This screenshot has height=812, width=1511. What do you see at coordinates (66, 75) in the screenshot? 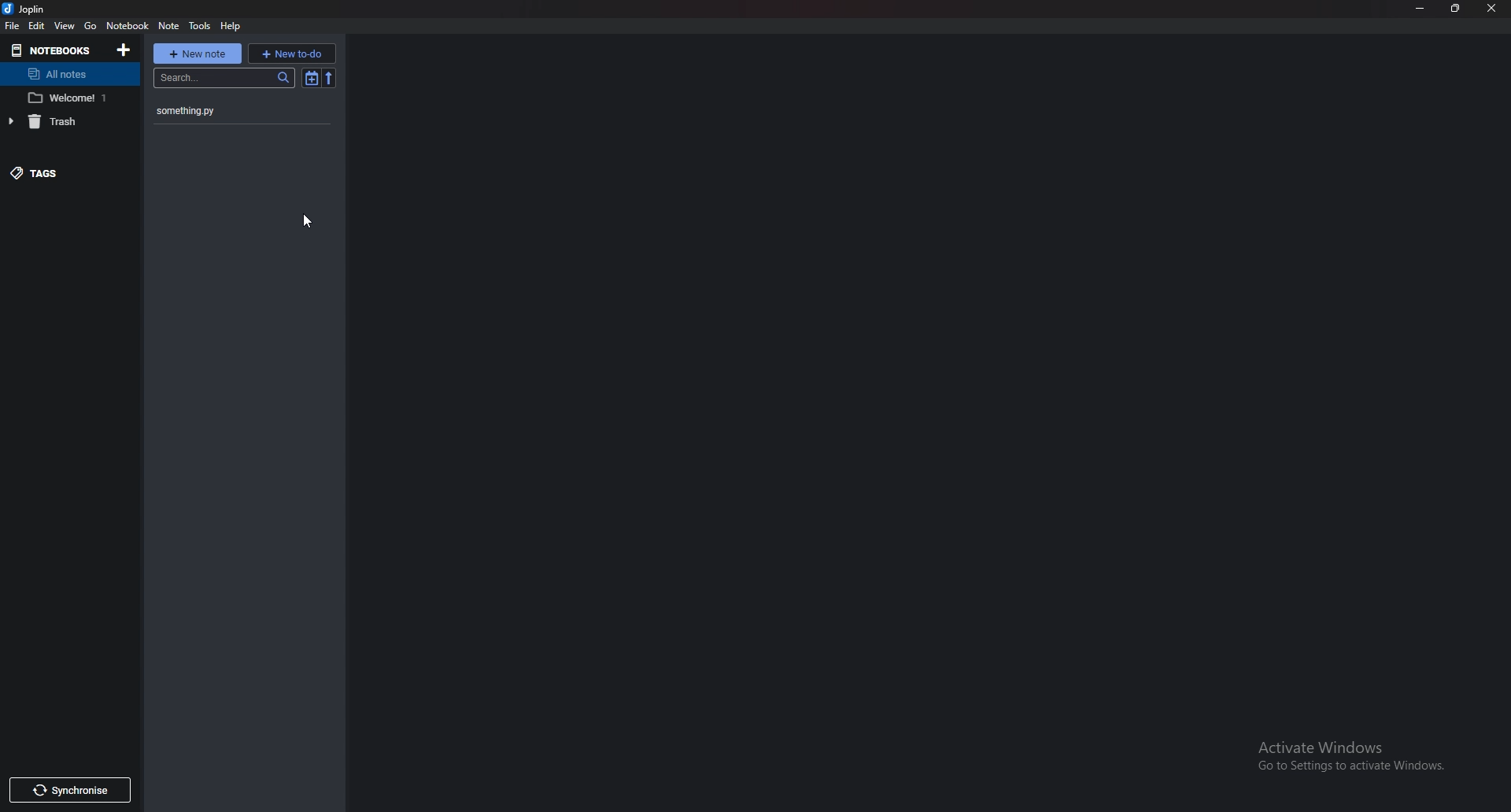
I see `All notes` at bounding box center [66, 75].